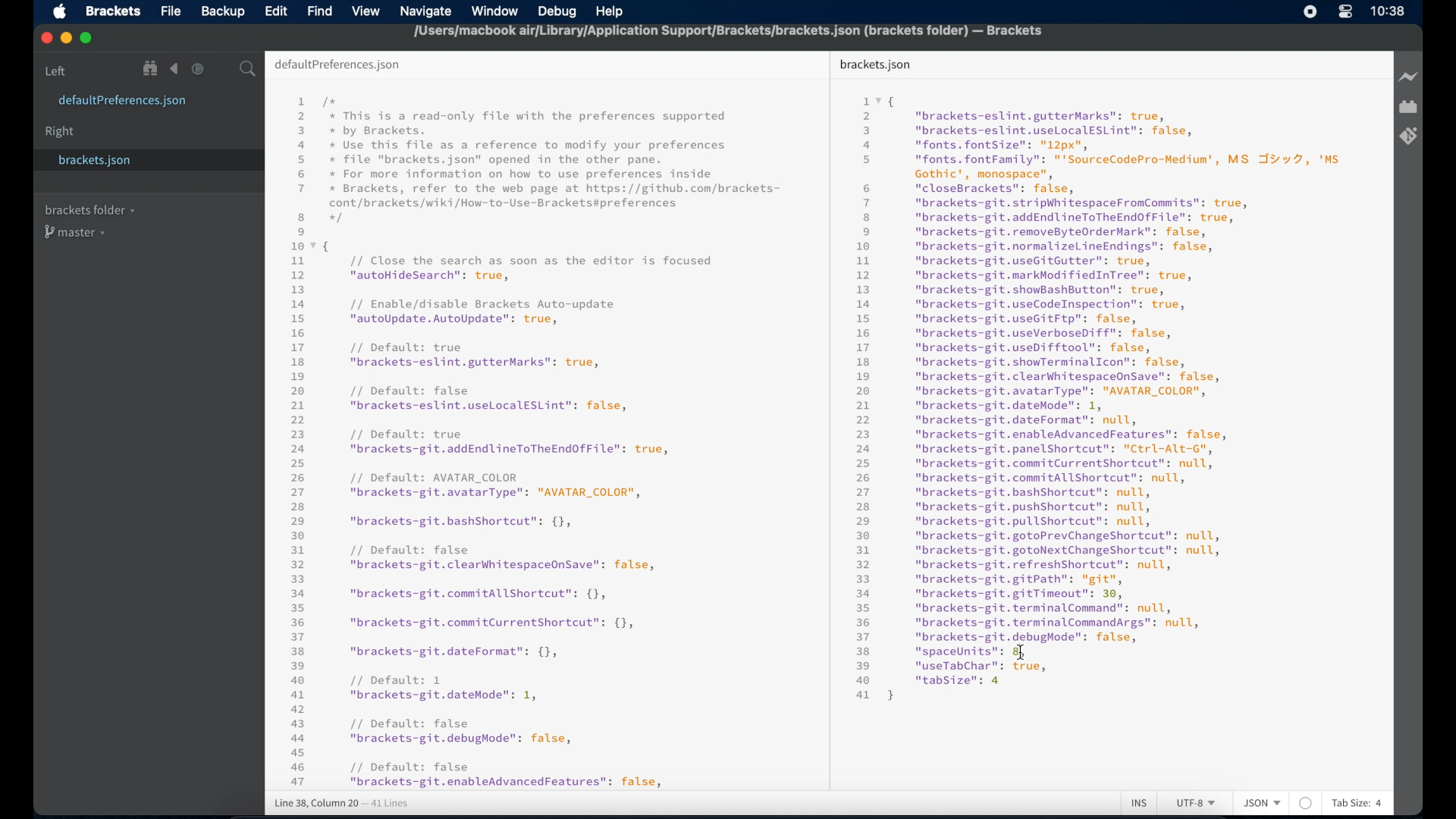 The width and height of the screenshot is (1456, 819). I want to click on minimize, so click(67, 39).